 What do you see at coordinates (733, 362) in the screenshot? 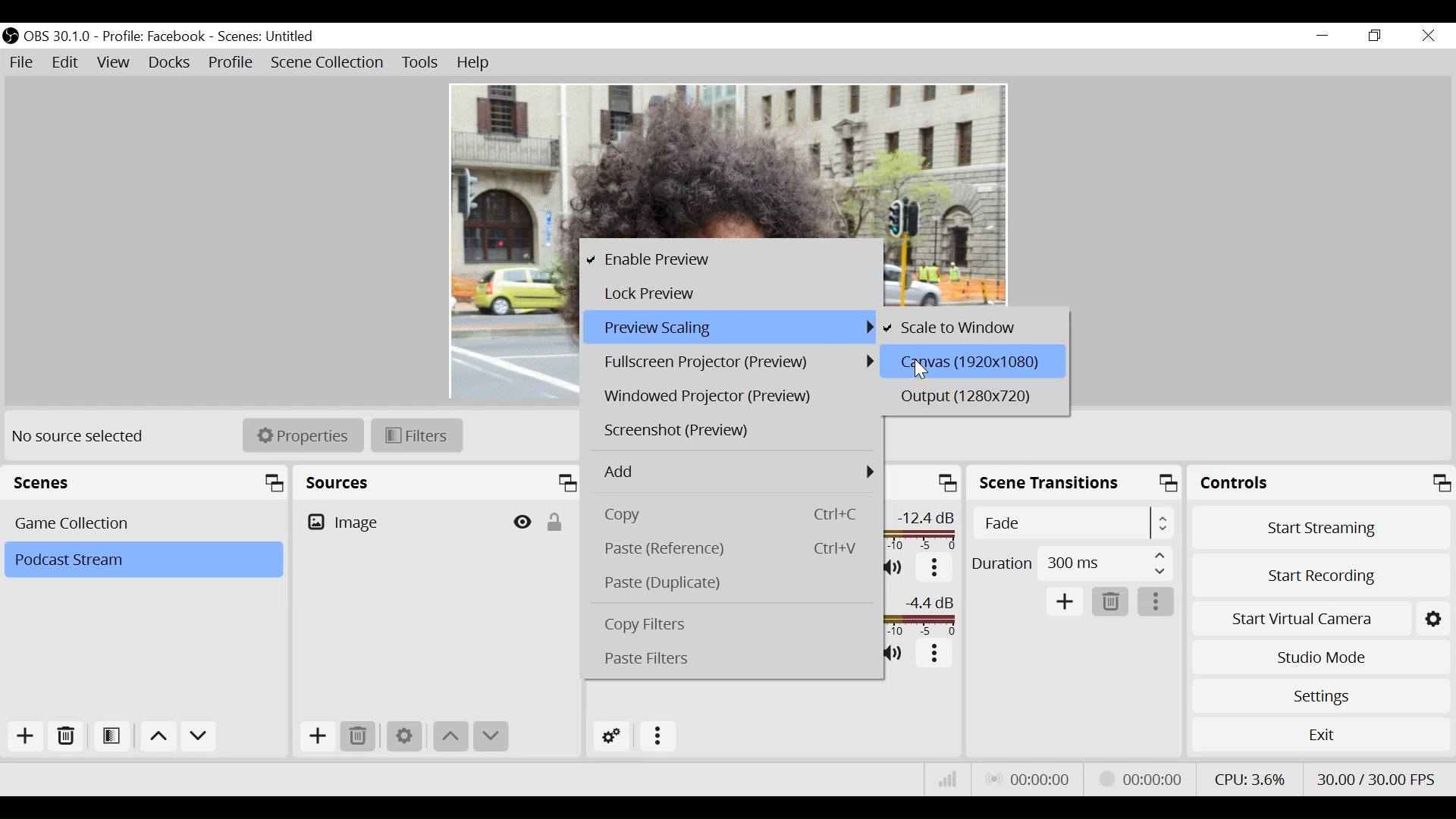
I see `Fullscreen Projector (Preview)` at bounding box center [733, 362].